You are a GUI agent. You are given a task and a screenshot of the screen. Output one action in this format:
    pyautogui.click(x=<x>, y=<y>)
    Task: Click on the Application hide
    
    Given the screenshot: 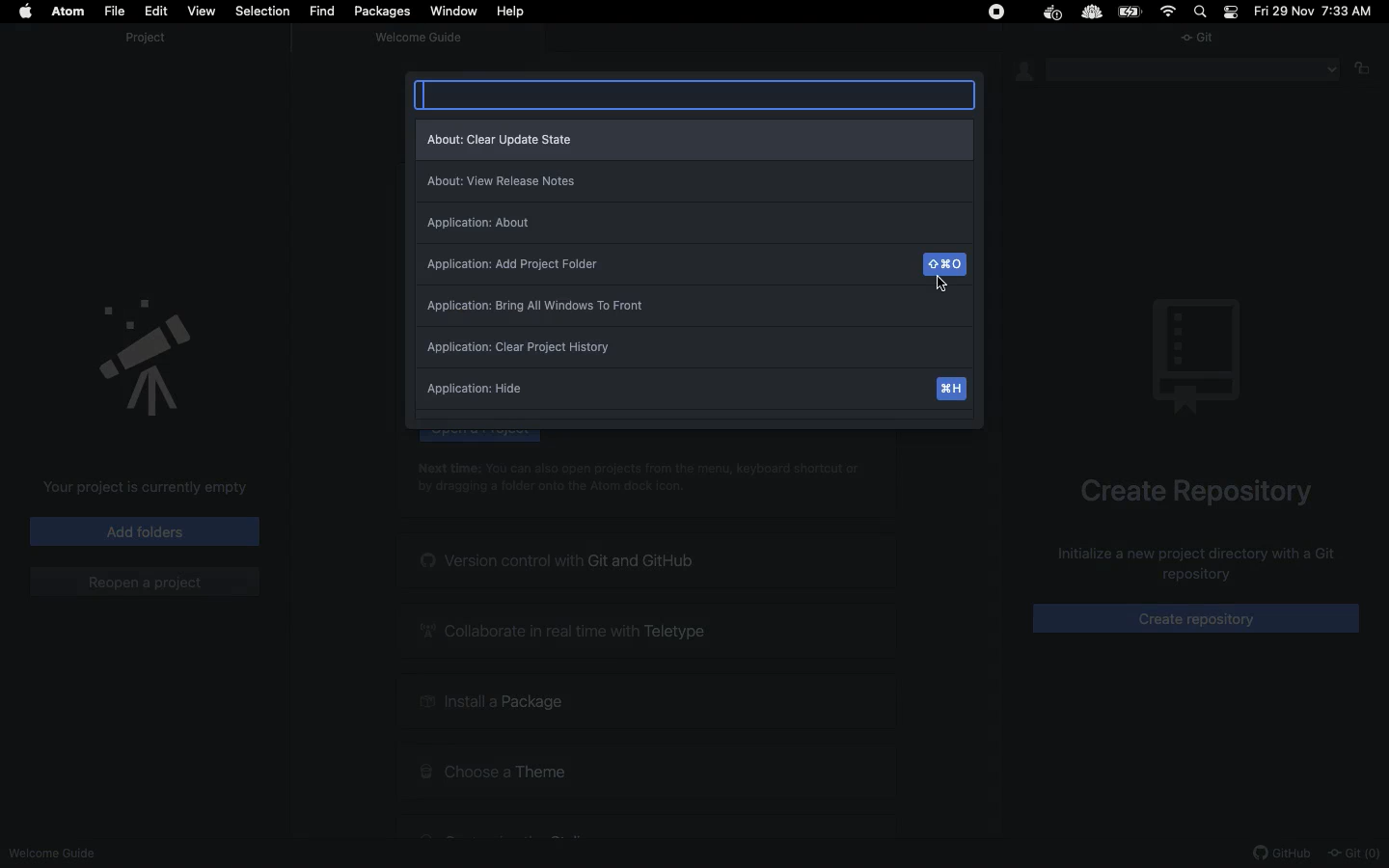 What is the action you would take?
    pyautogui.click(x=693, y=393)
    